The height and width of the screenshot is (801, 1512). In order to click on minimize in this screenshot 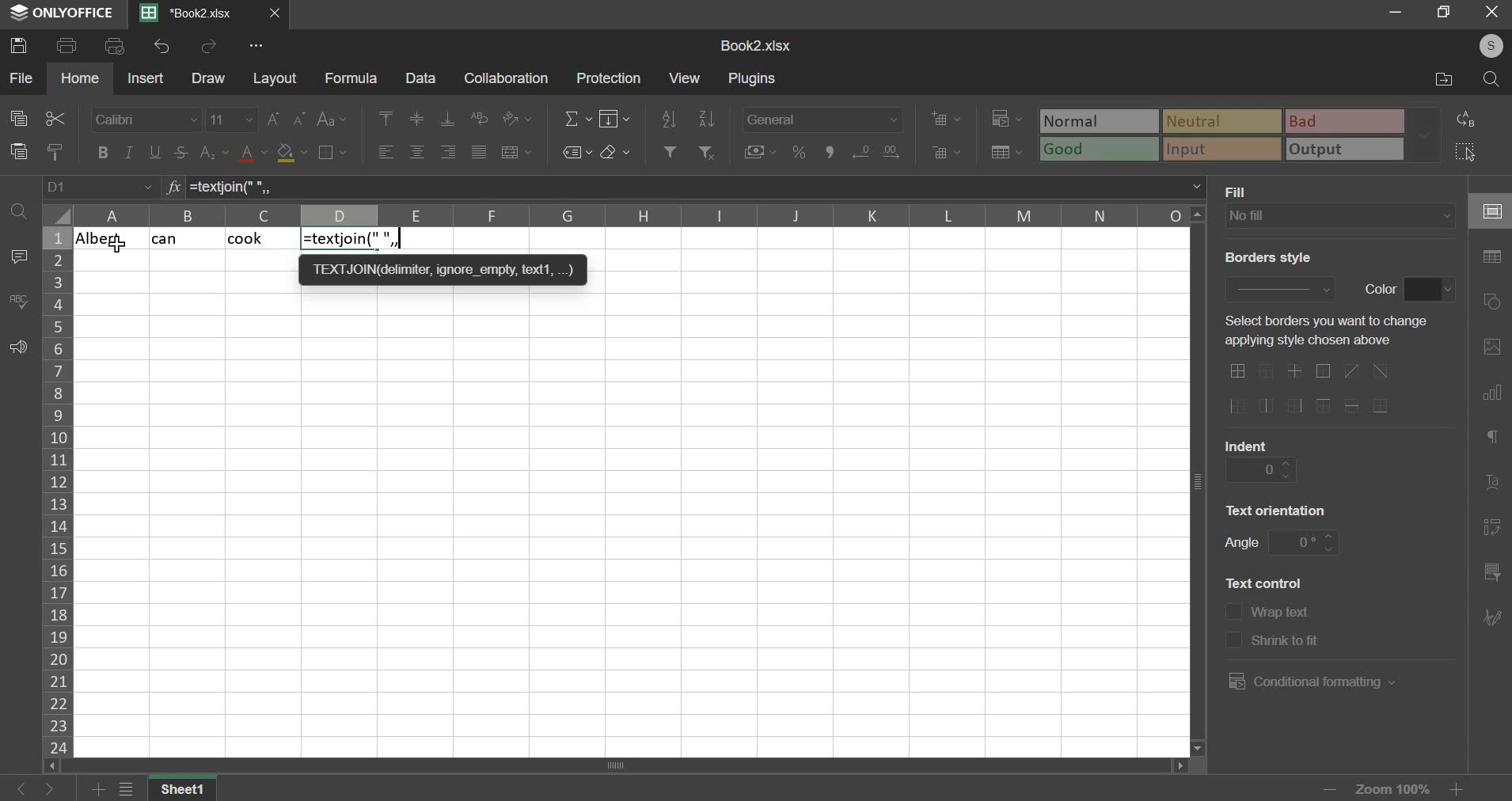, I will do `click(1399, 13)`.